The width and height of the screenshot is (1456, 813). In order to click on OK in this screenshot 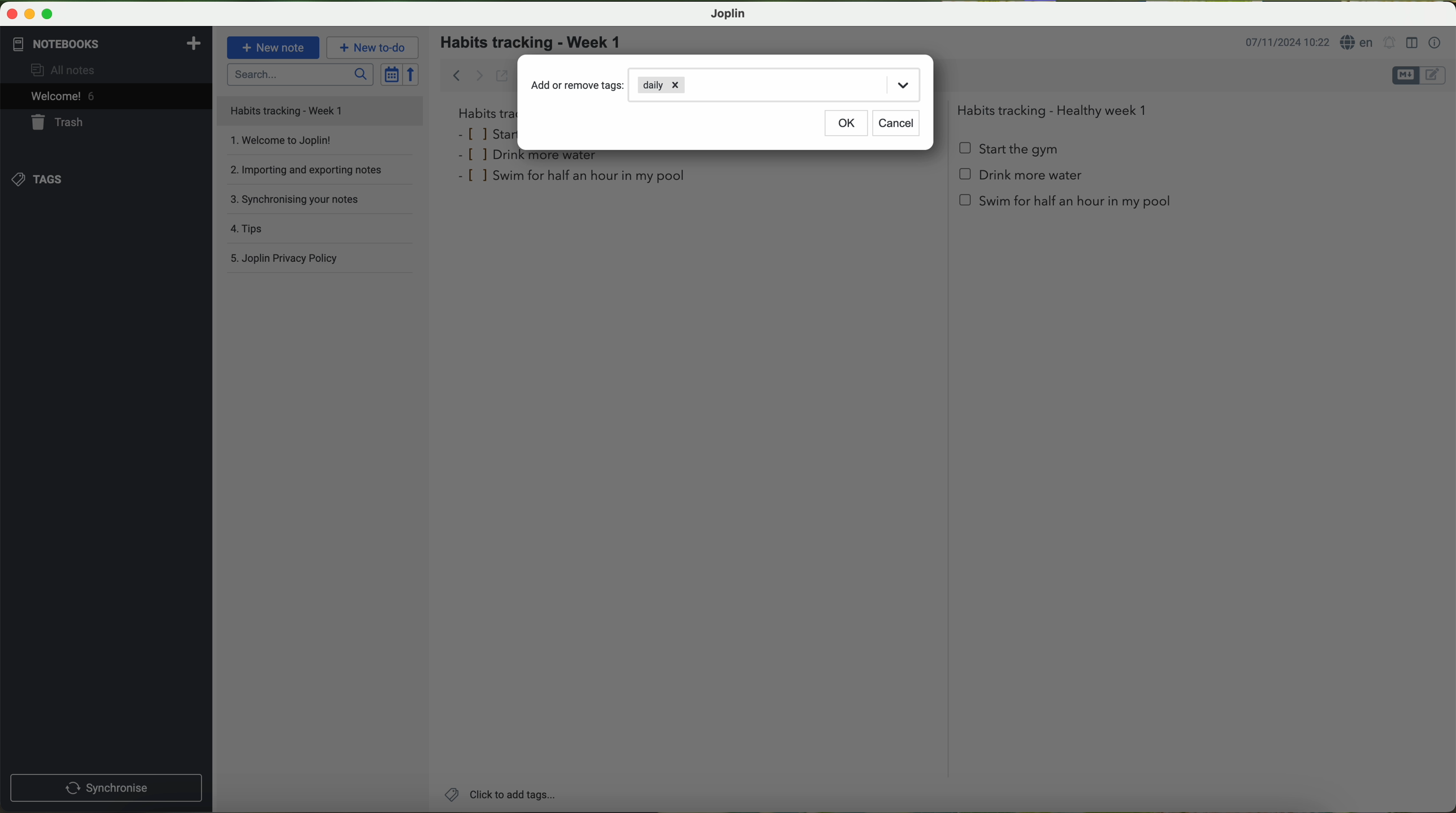, I will do `click(847, 124)`.